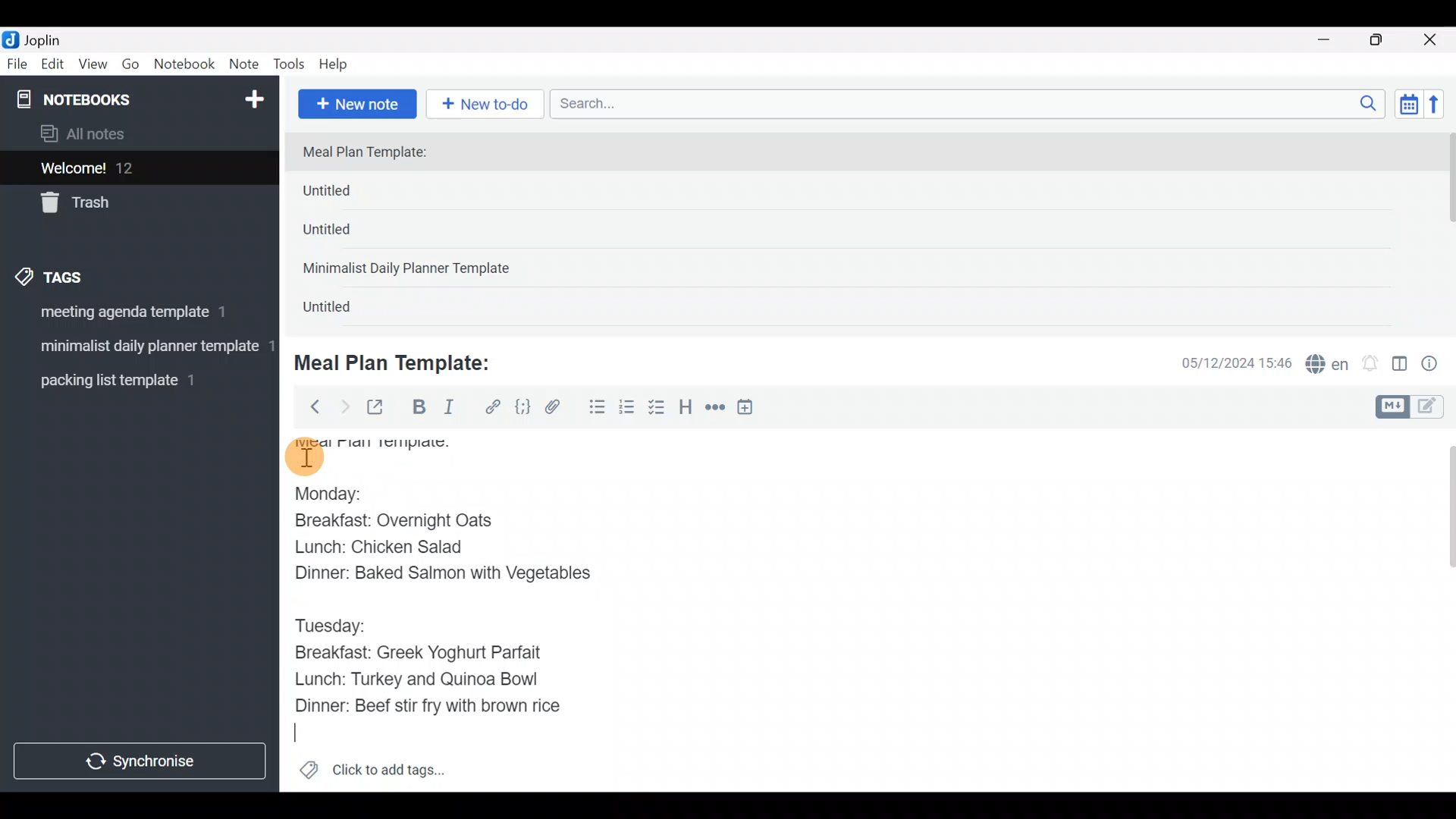 This screenshot has width=1456, height=819. What do you see at coordinates (300, 736) in the screenshot?
I see `text Cursor` at bounding box center [300, 736].